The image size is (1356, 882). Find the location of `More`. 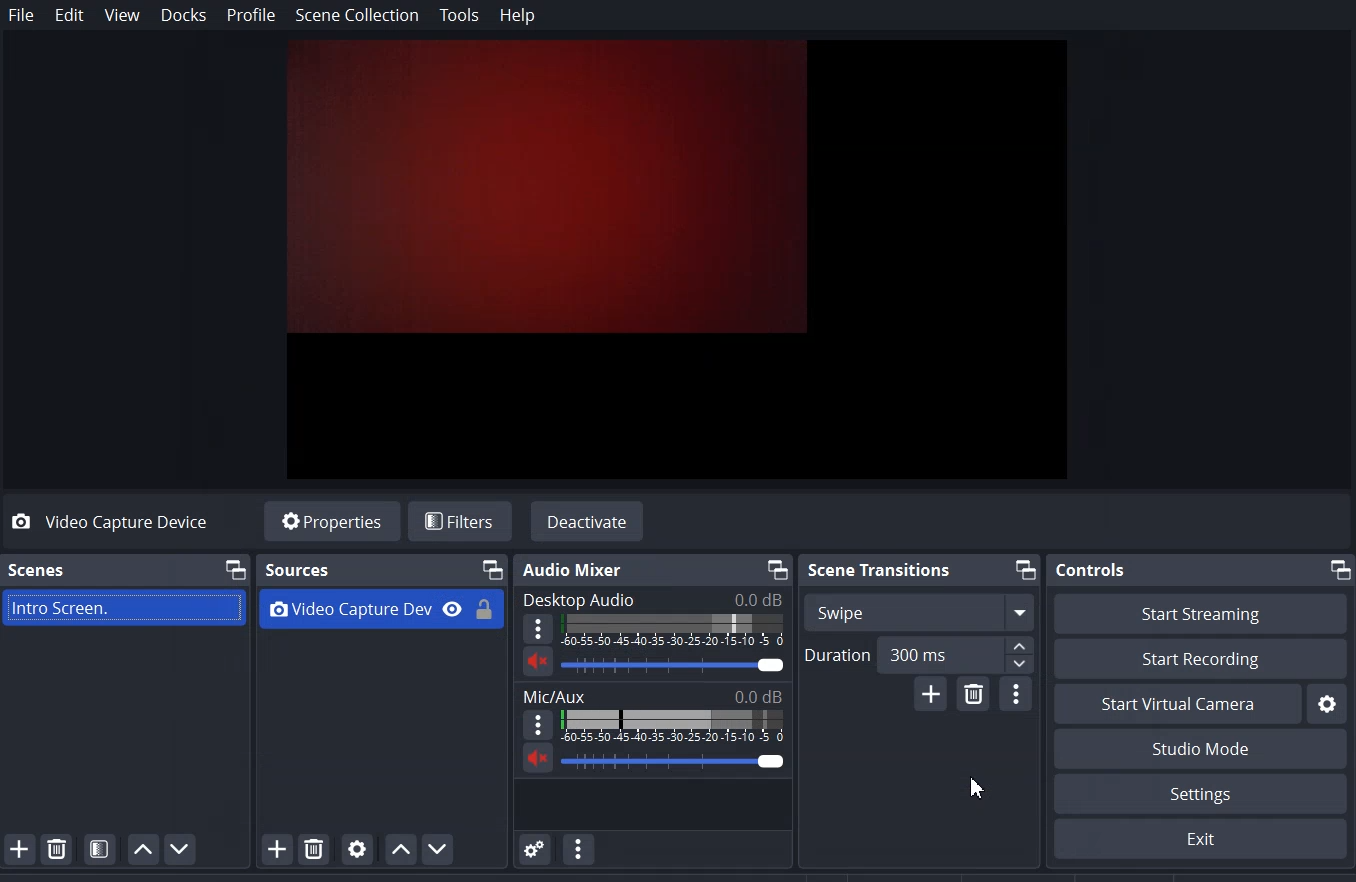

More is located at coordinates (541, 629).